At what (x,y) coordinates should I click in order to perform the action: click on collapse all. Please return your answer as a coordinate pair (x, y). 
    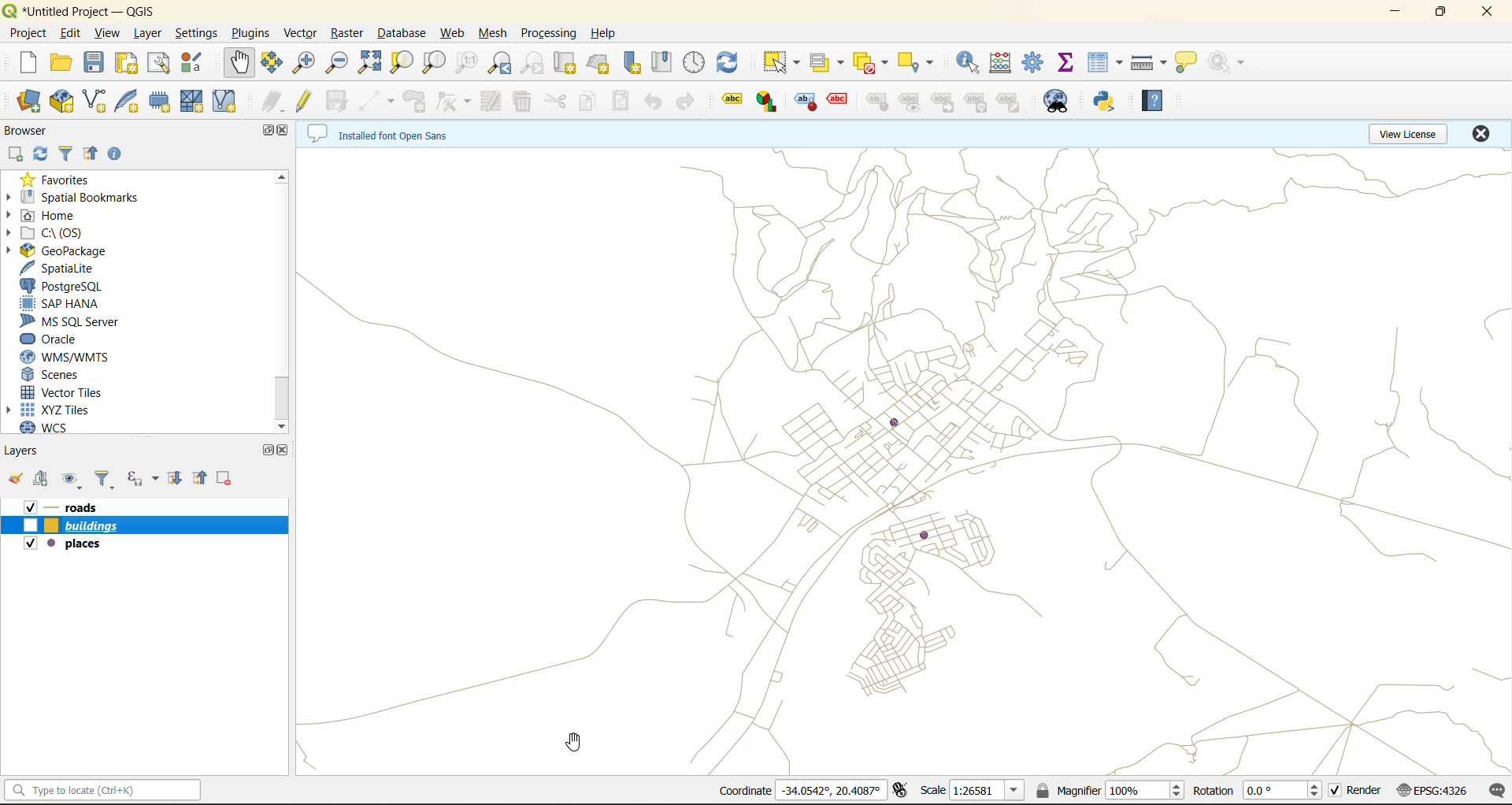
    Looking at the image, I should click on (199, 477).